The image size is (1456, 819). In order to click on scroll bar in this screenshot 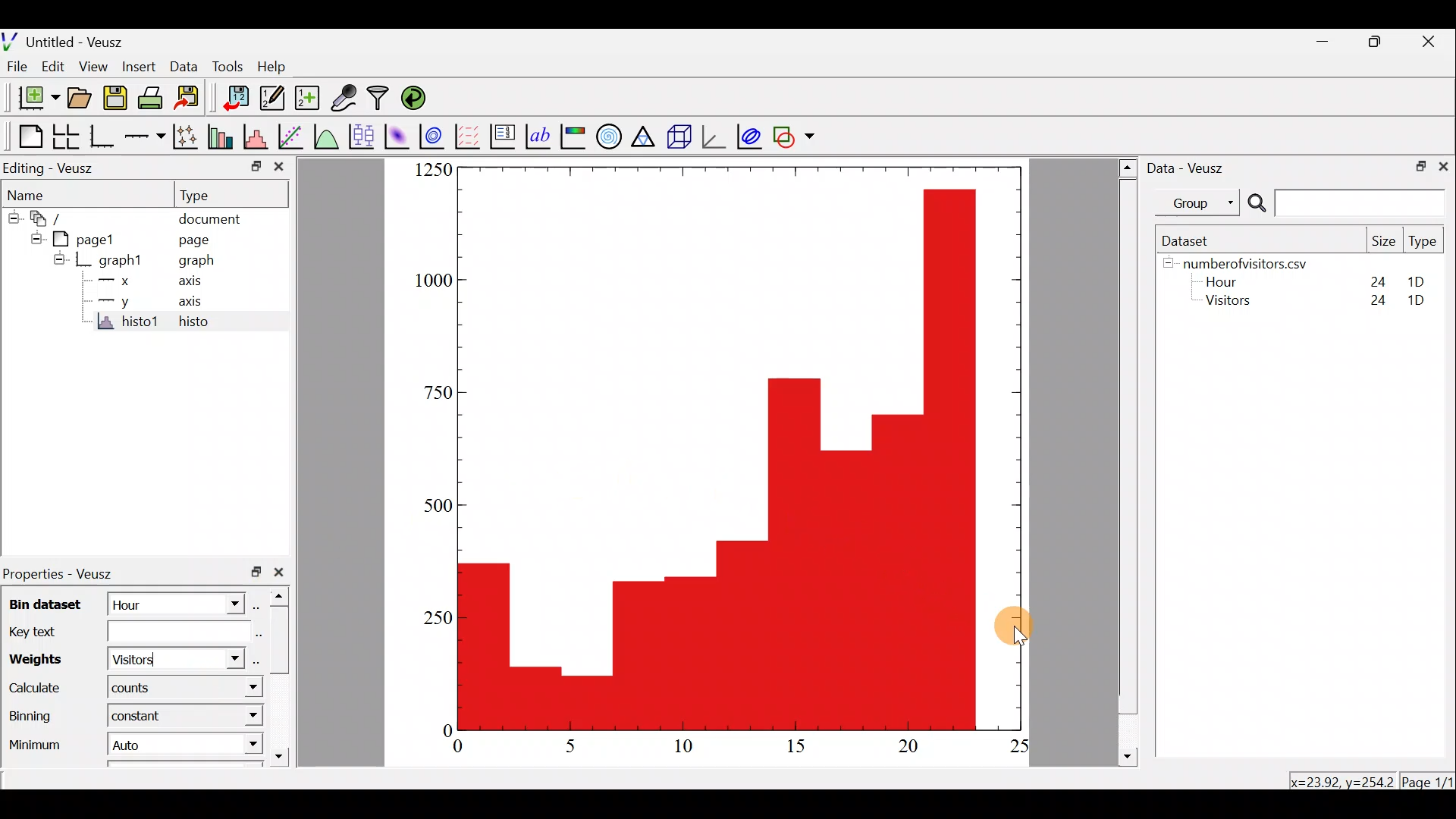, I will do `click(1125, 460)`.